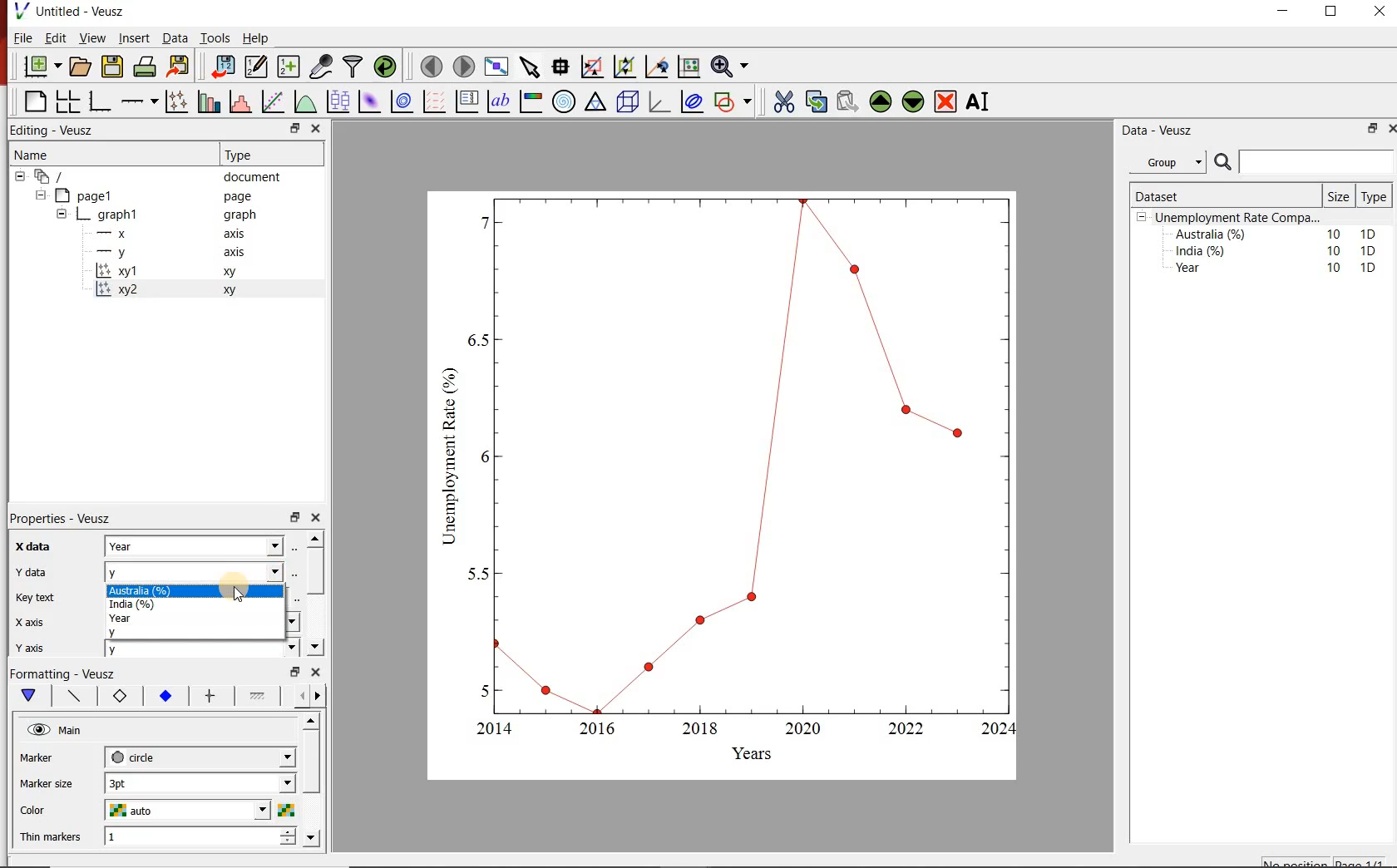 Image resolution: width=1397 pixels, height=868 pixels. Describe the element at coordinates (43, 66) in the screenshot. I see `new document` at that location.